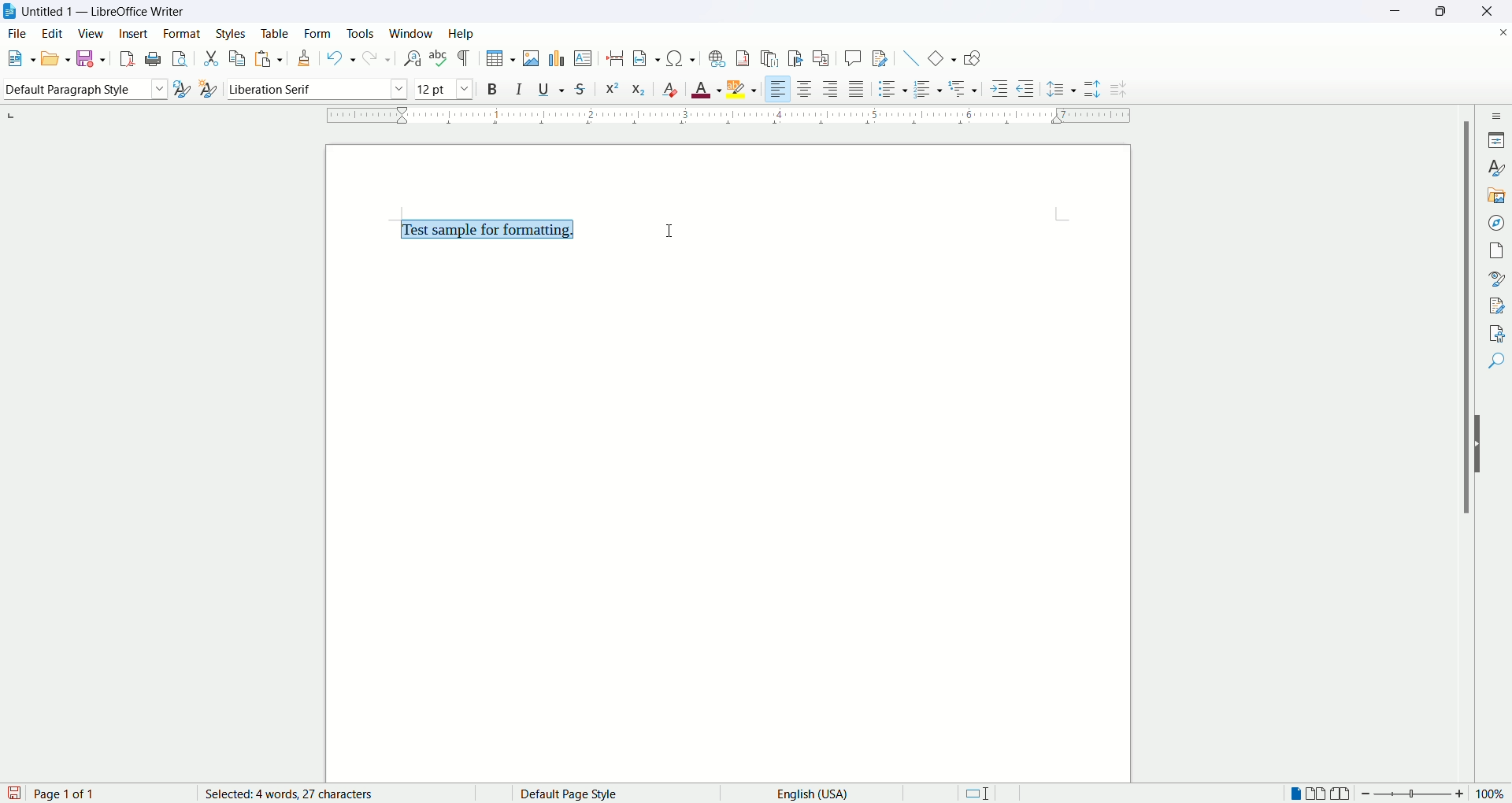  What do you see at coordinates (615, 56) in the screenshot?
I see `page break` at bounding box center [615, 56].